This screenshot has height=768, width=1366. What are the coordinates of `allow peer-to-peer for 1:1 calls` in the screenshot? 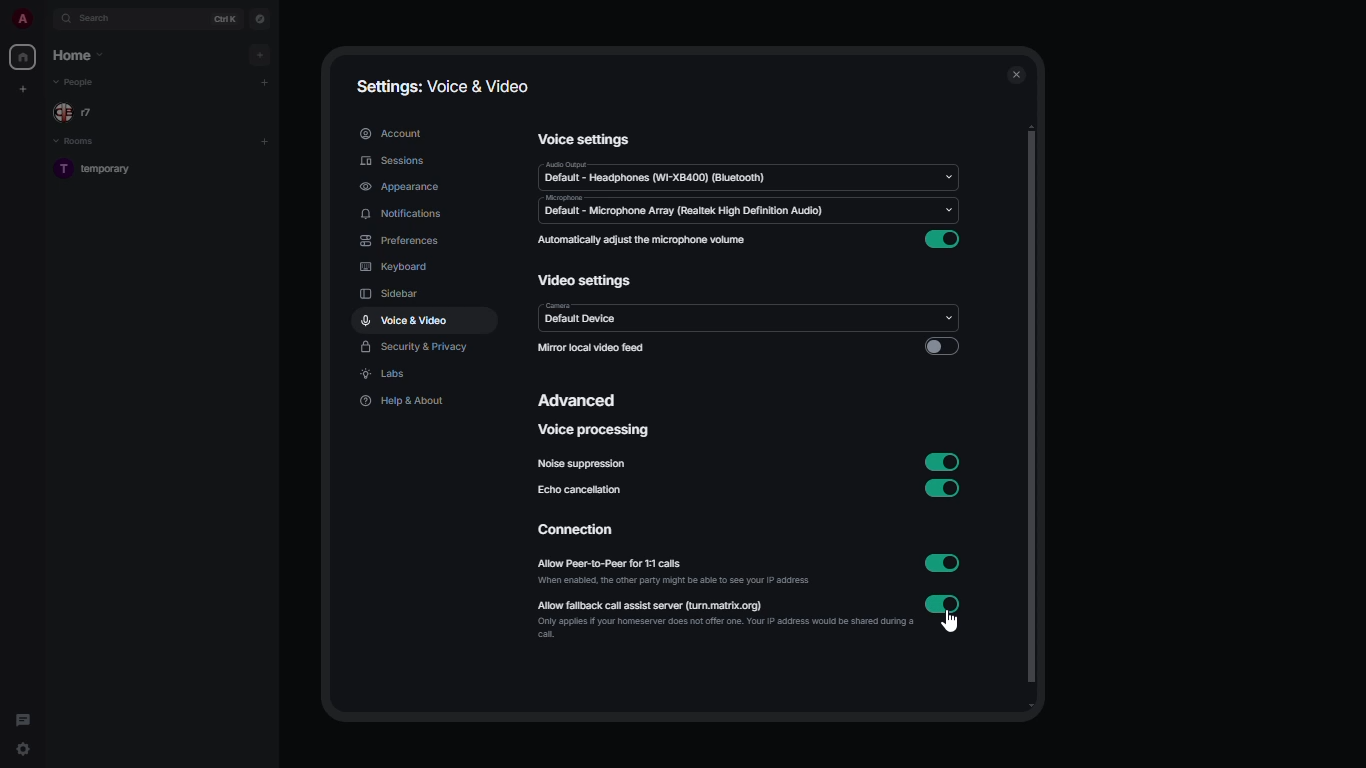 It's located at (643, 562).